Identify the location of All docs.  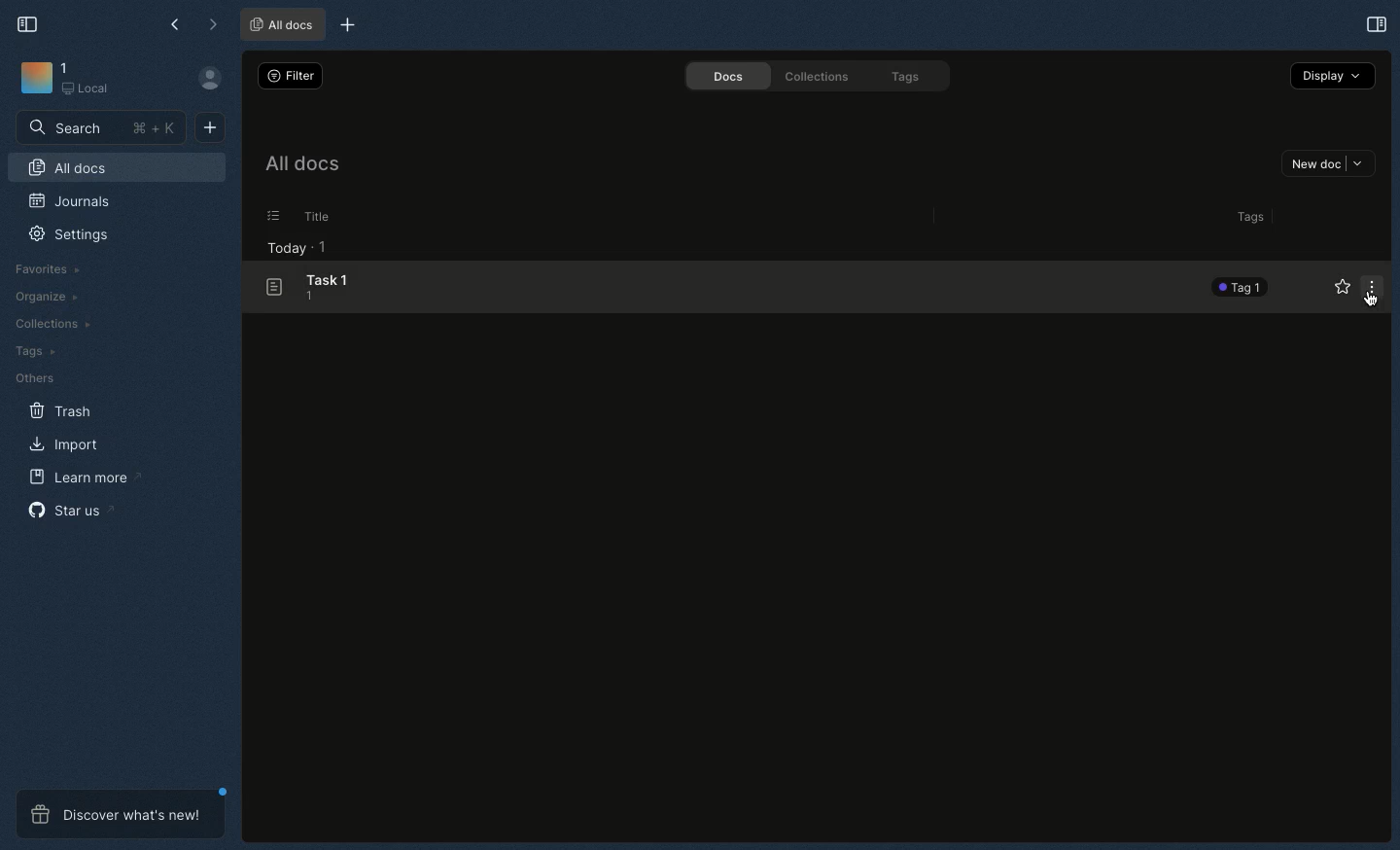
(300, 160).